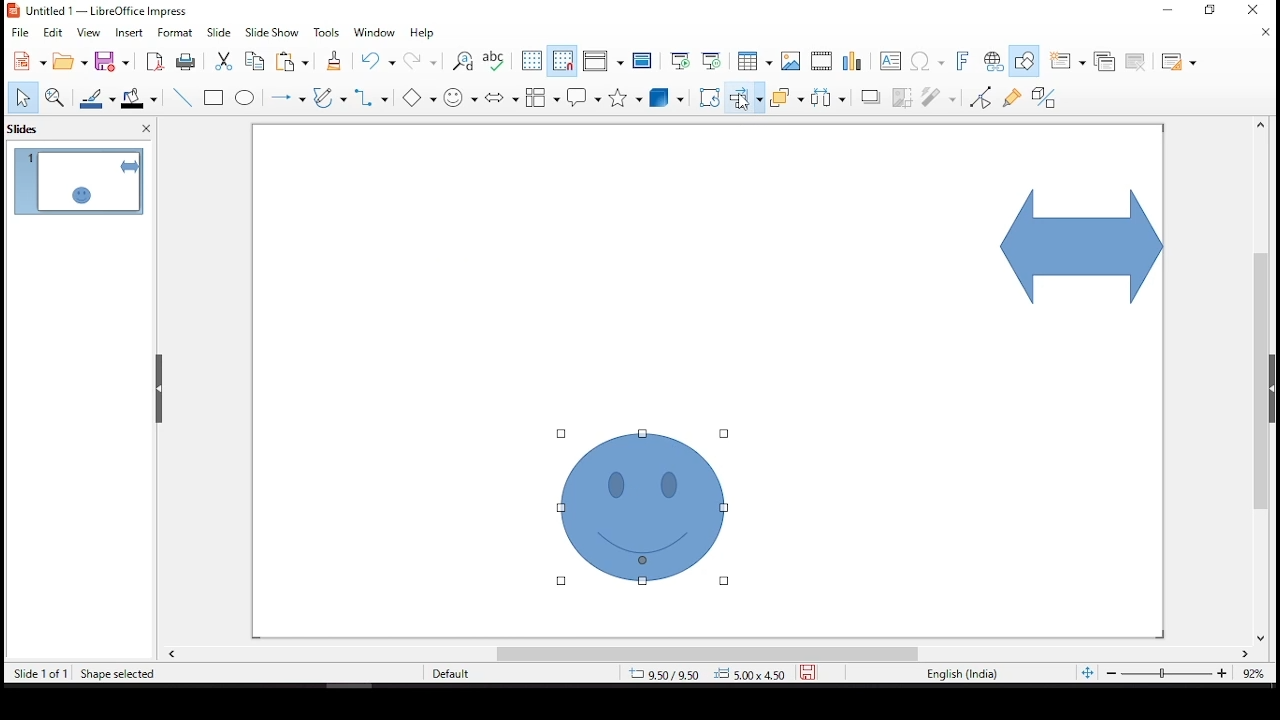 This screenshot has height=720, width=1280. What do you see at coordinates (665, 674) in the screenshot?
I see `6.07/4.08` at bounding box center [665, 674].